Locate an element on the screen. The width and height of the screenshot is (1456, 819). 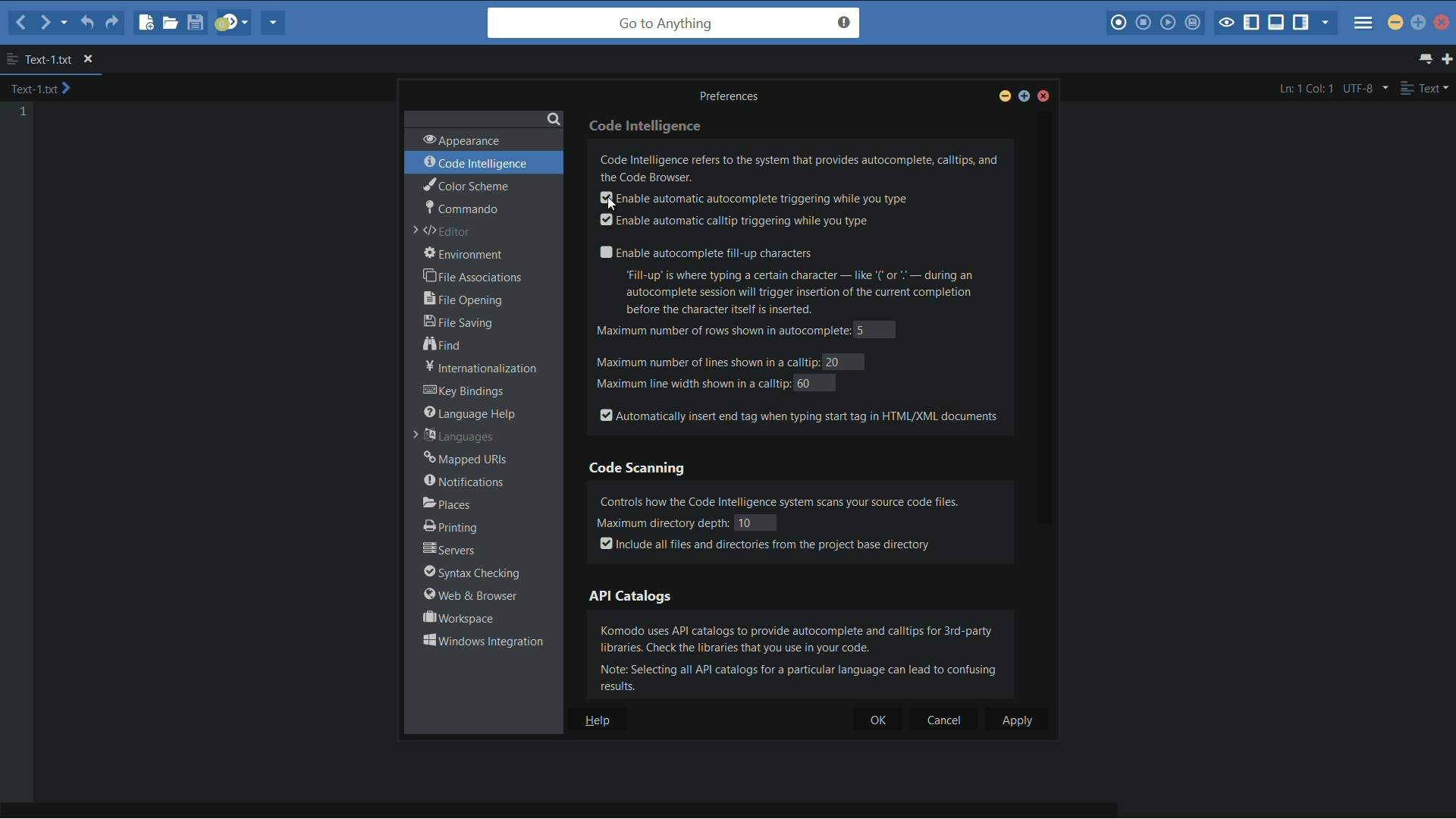
help is located at coordinates (600, 720).